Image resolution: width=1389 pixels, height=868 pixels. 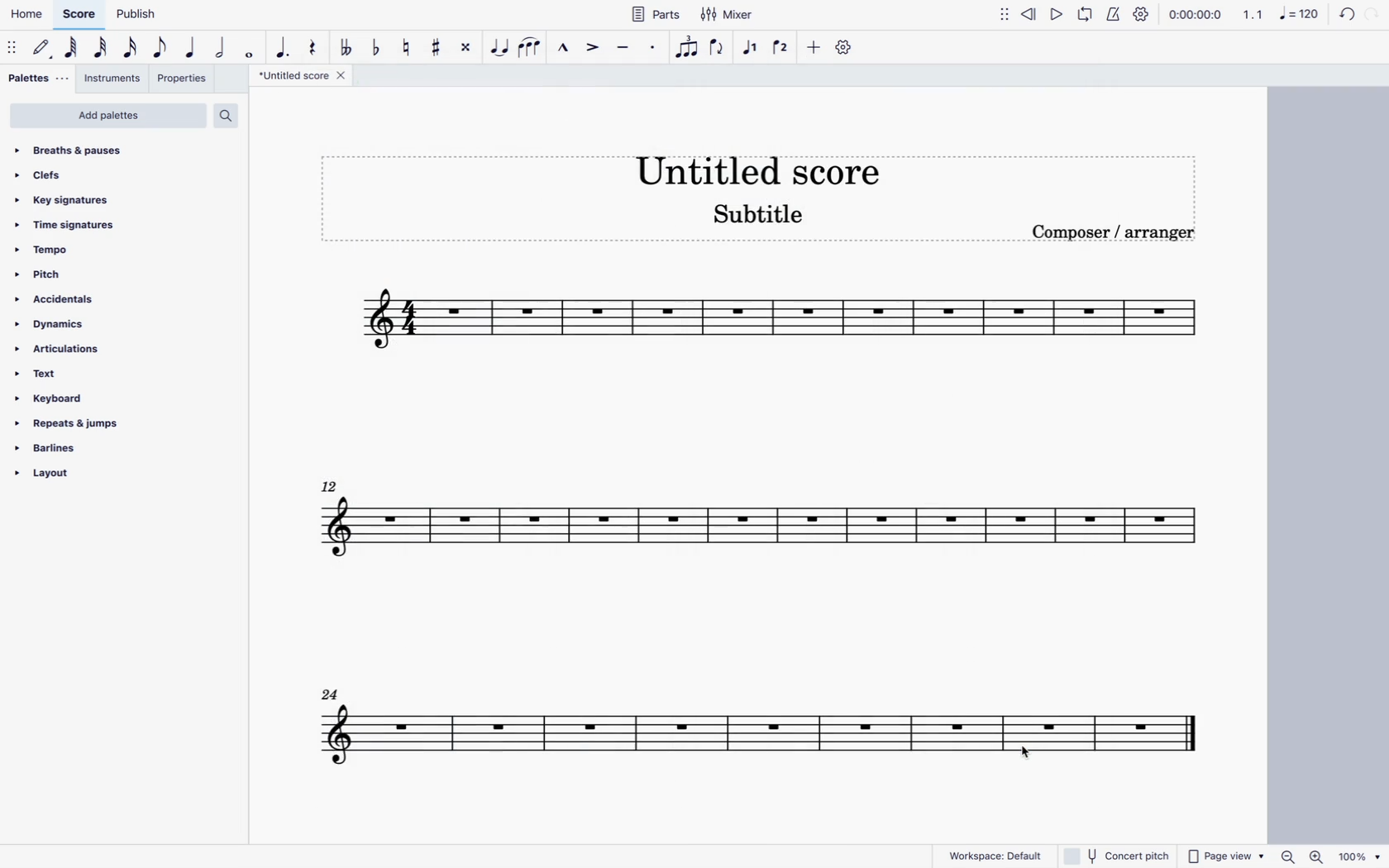 I want to click on tie, so click(x=499, y=51).